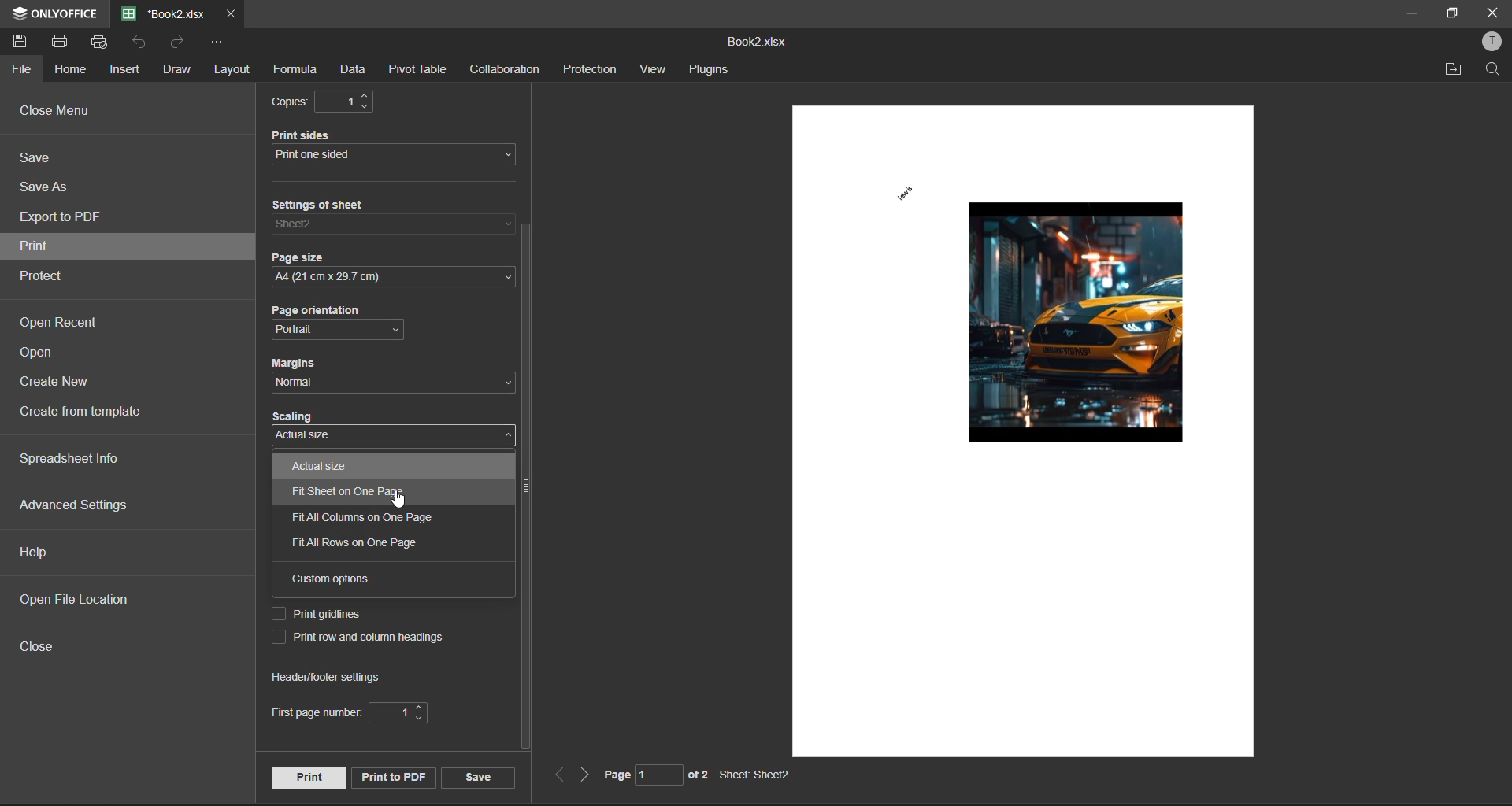  Describe the element at coordinates (479, 777) in the screenshot. I see `save` at that location.